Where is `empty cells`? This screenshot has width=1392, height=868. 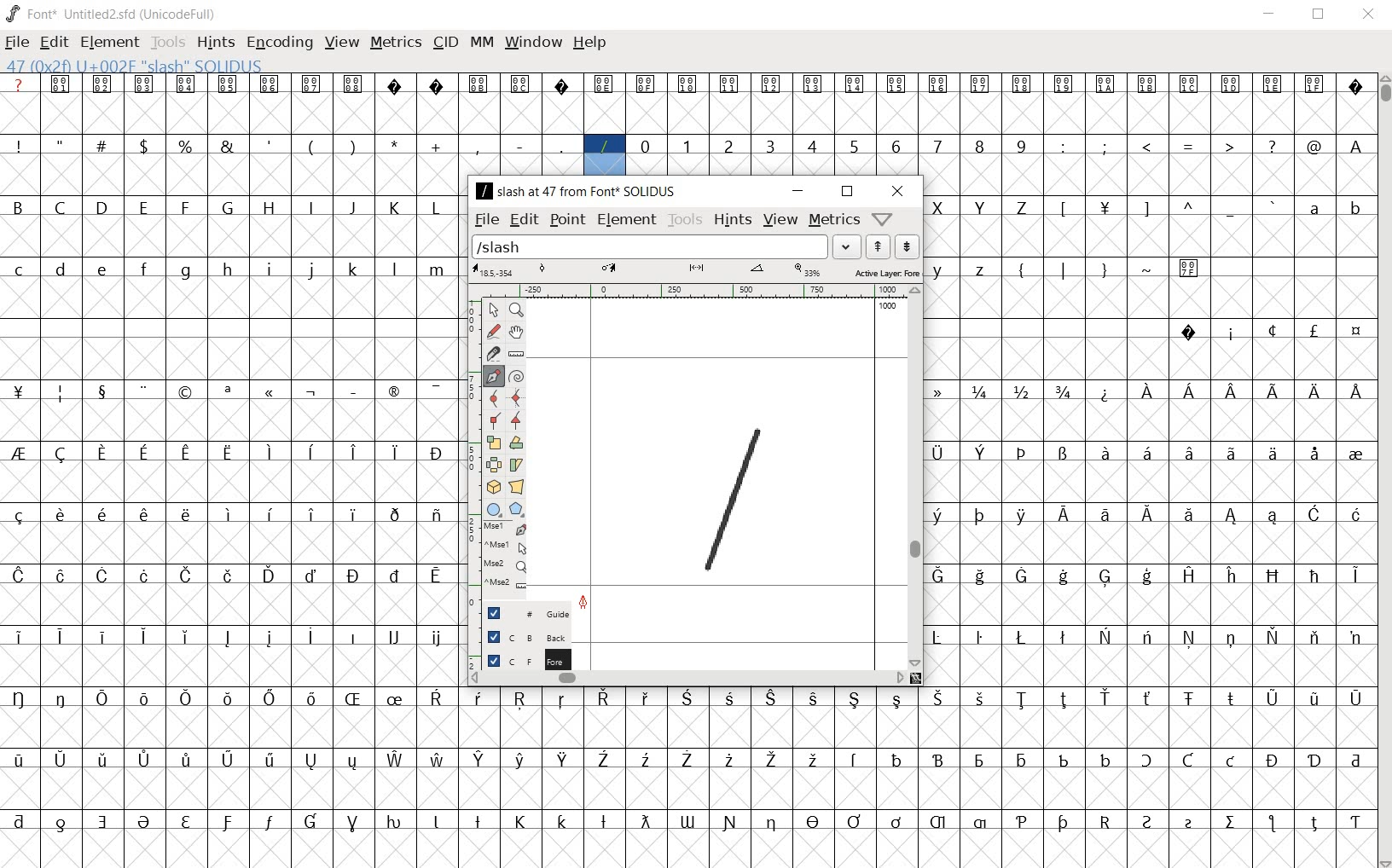
empty cells is located at coordinates (234, 357).